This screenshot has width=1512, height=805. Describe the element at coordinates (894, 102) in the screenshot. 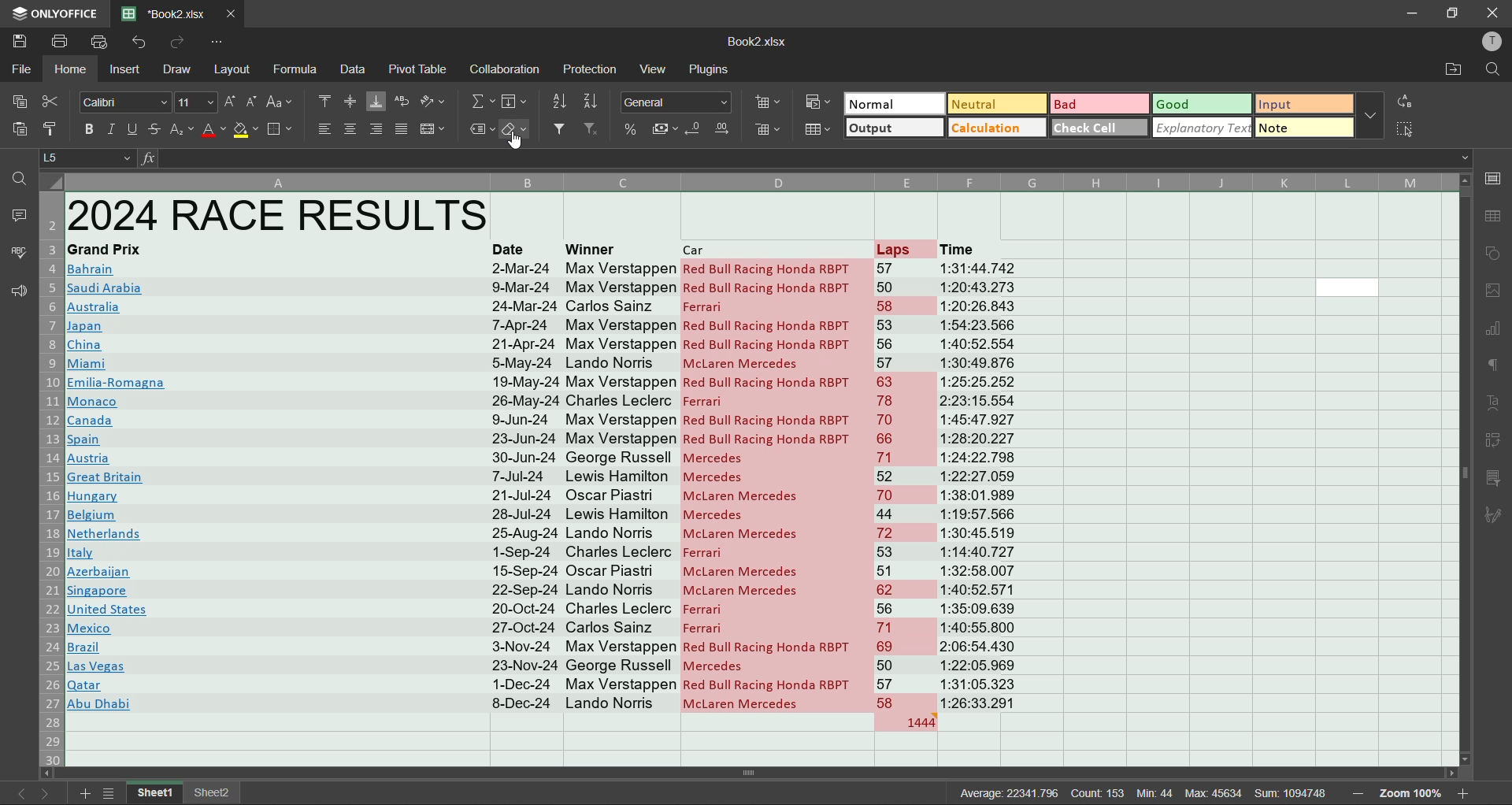

I see `normal` at that location.